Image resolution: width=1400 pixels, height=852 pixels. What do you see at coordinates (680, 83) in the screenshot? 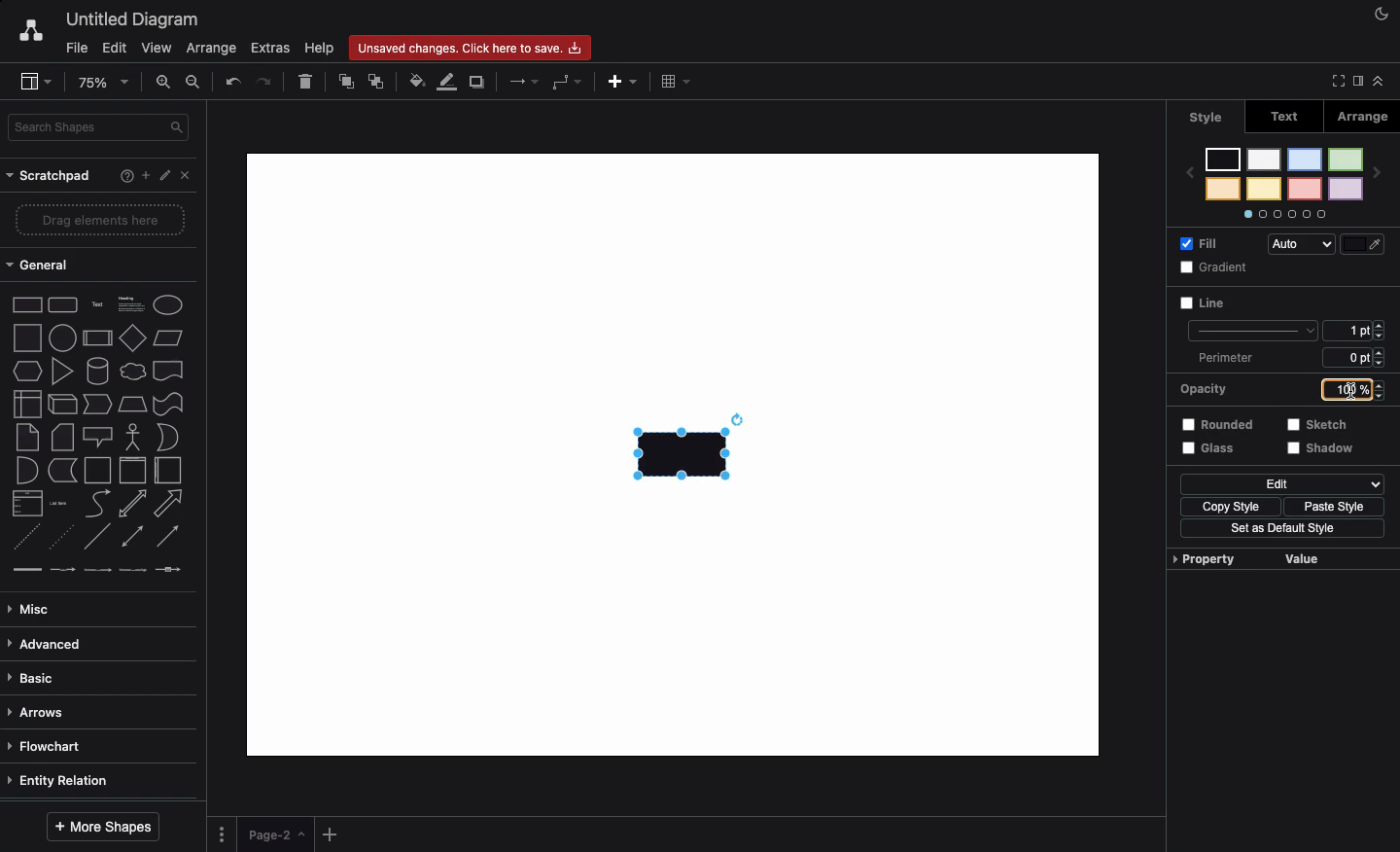
I see `Table` at bounding box center [680, 83].